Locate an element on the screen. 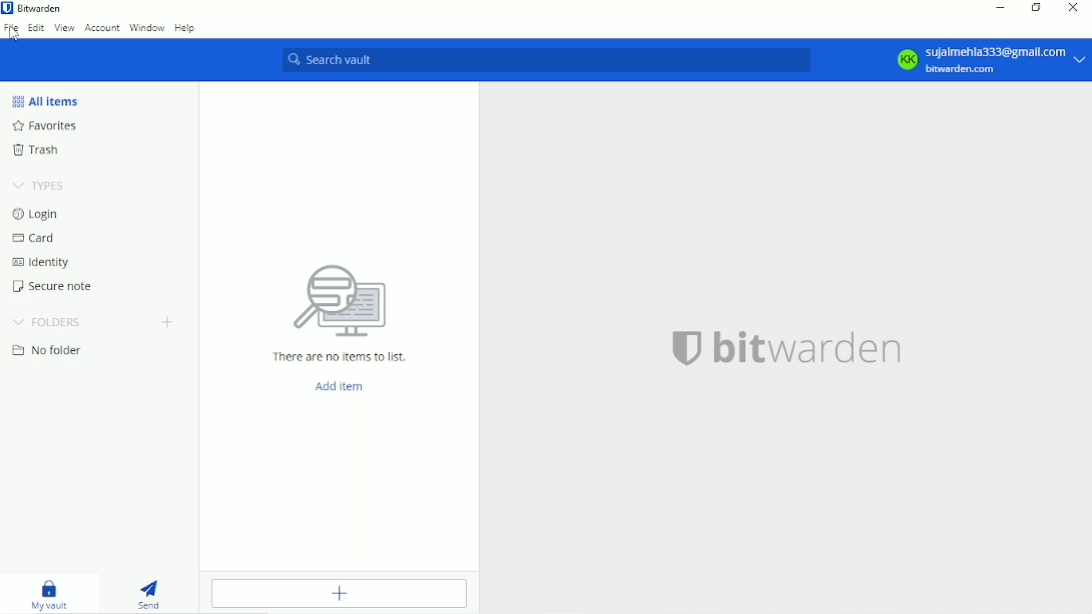 This screenshot has width=1092, height=614. There are no items to list is located at coordinates (341, 357).